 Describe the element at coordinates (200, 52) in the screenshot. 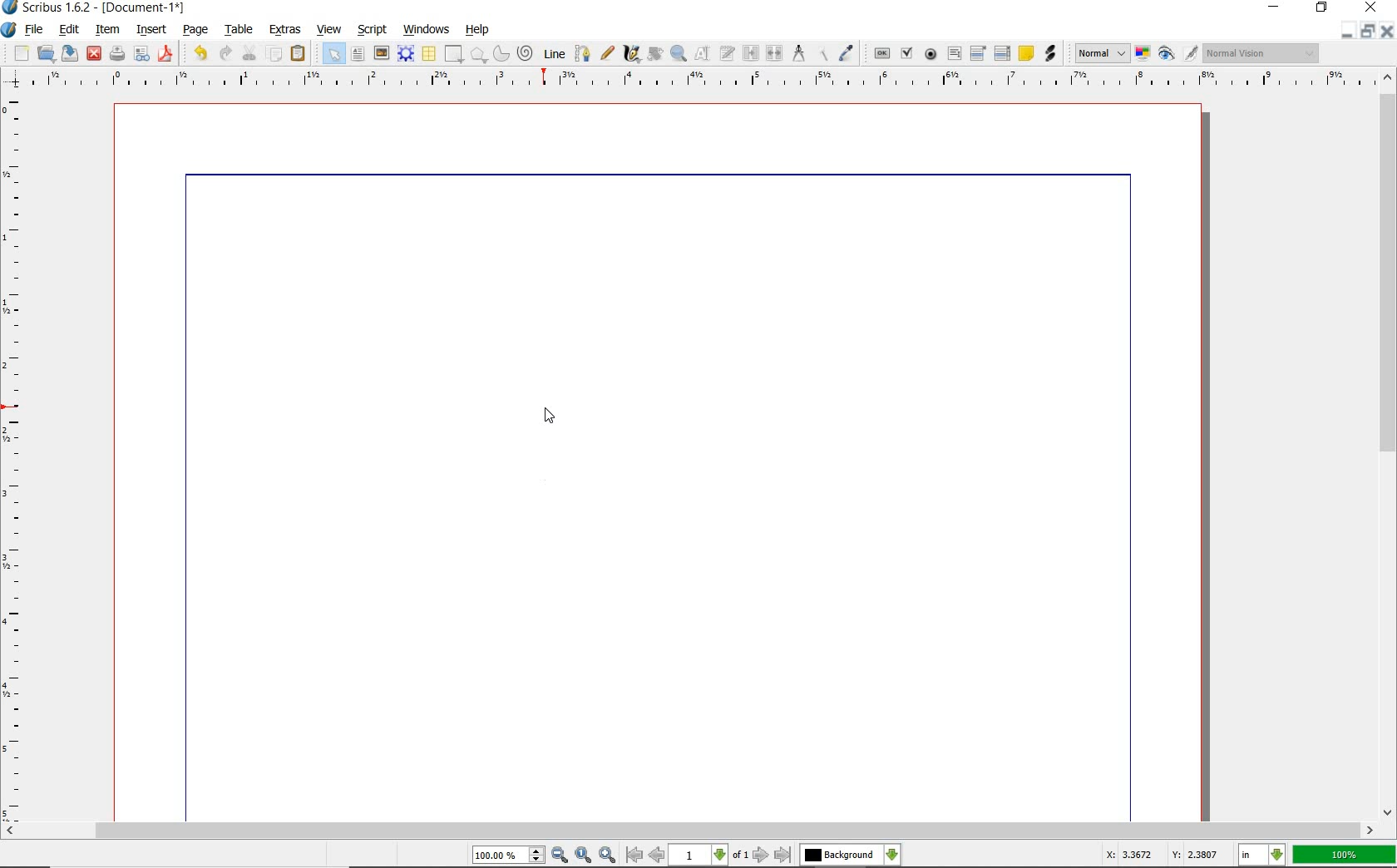

I see `undo` at that location.